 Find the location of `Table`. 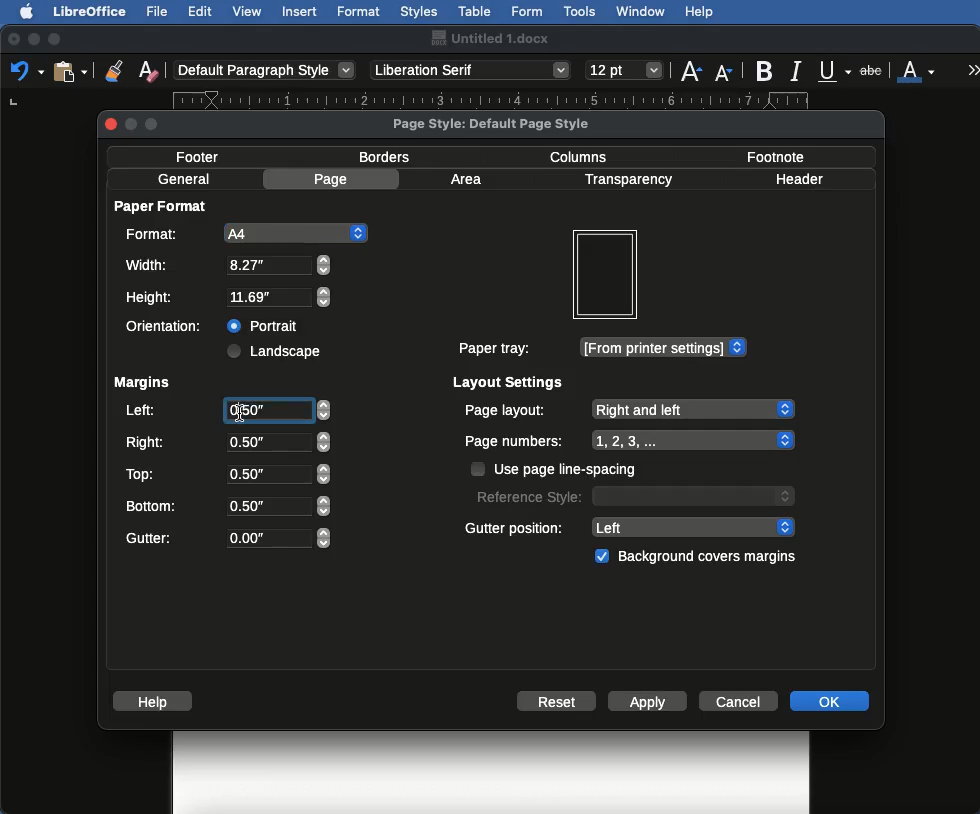

Table is located at coordinates (475, 9).